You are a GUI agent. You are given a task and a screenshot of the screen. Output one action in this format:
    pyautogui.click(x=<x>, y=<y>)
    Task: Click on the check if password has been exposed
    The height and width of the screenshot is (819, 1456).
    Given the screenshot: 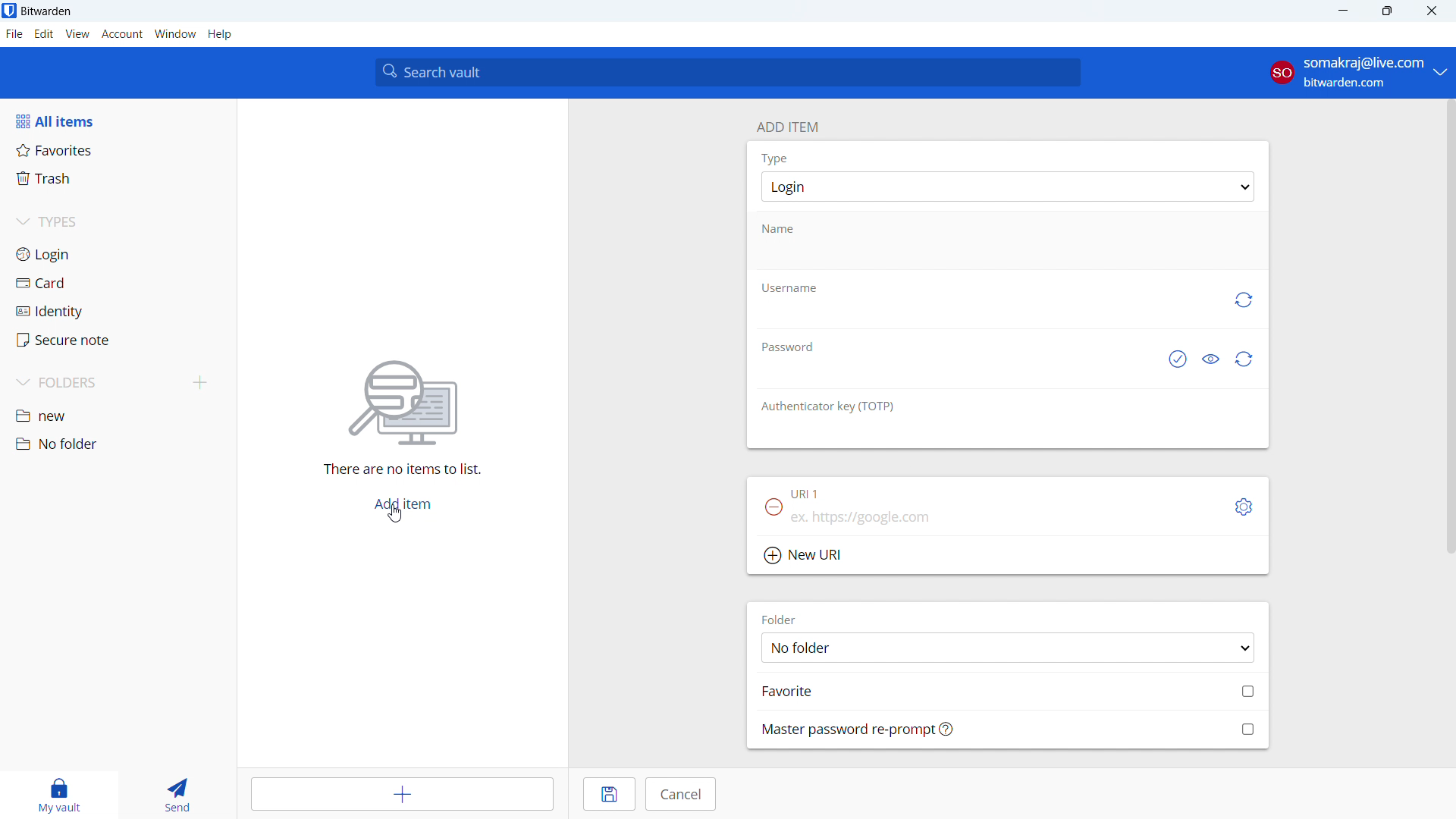 What is the action you would take?
    pyautogui.click(x=1176, y=360)
    